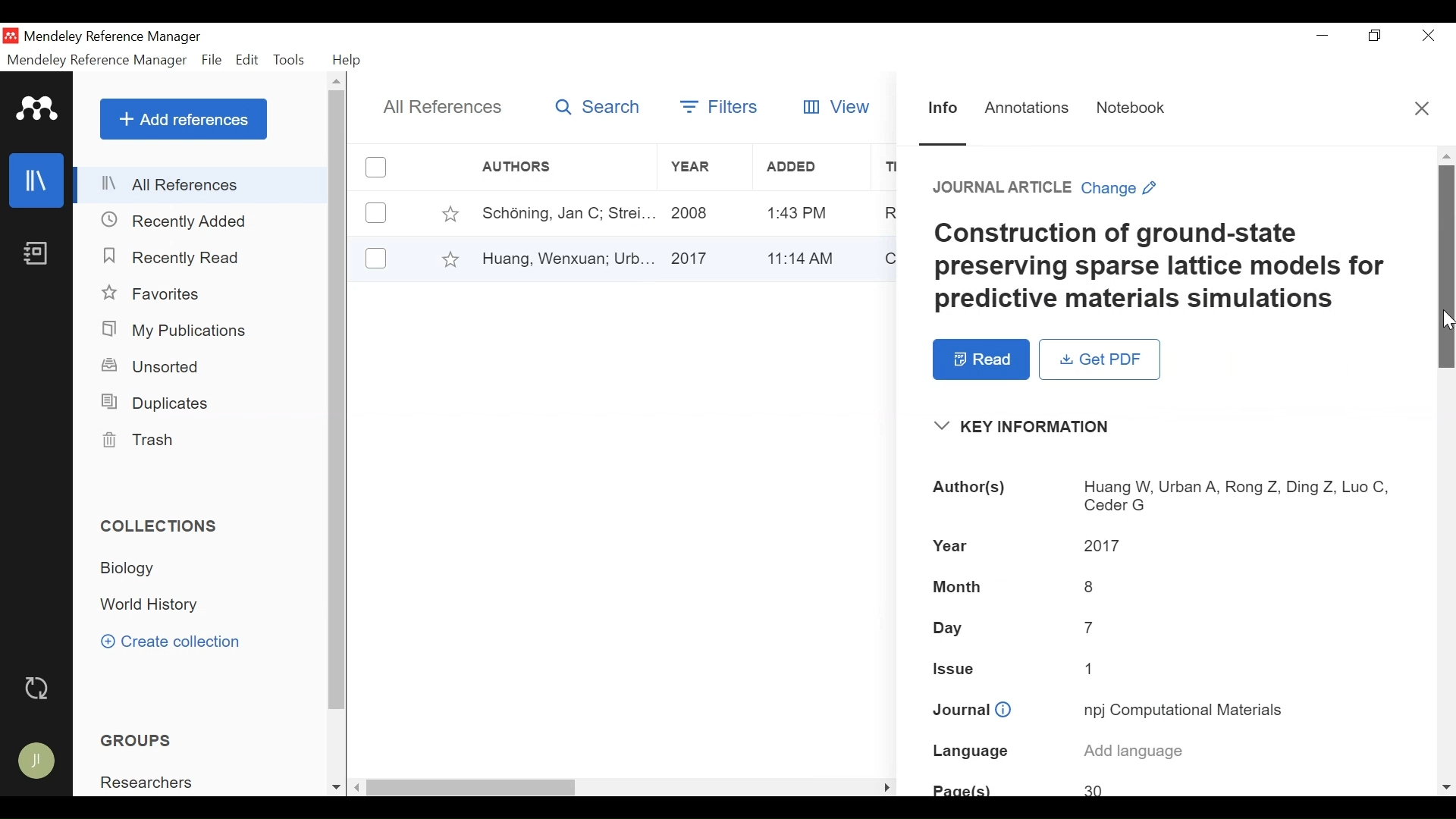 The height and width of the screenshot is (819, 1456). I want to click on Mendeley Reference Manager, so click(97, 62).